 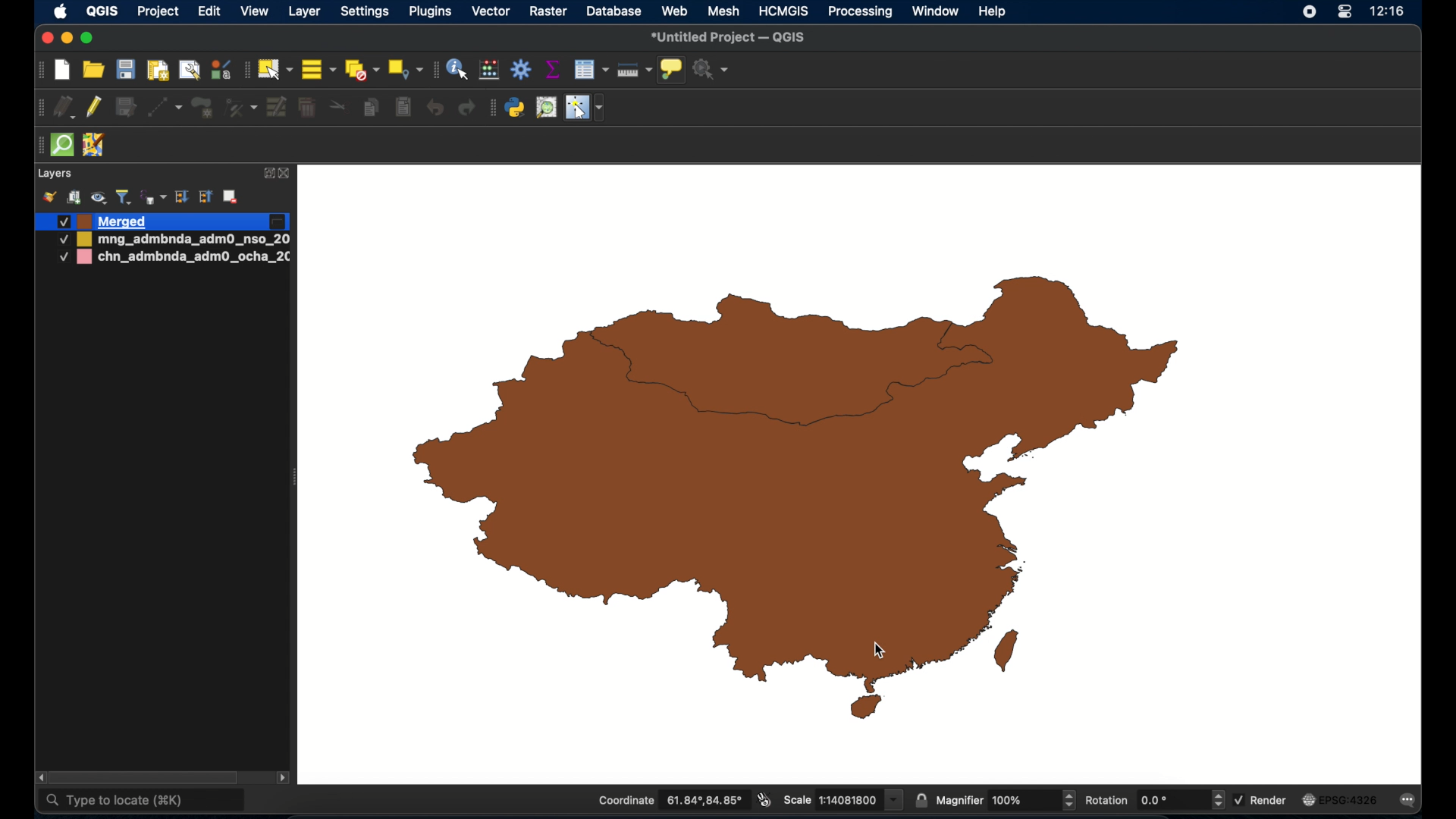 What do you see at coordinates (125, 108) in the screenshot?
I see `save edits` at bounding box center [125, 108].